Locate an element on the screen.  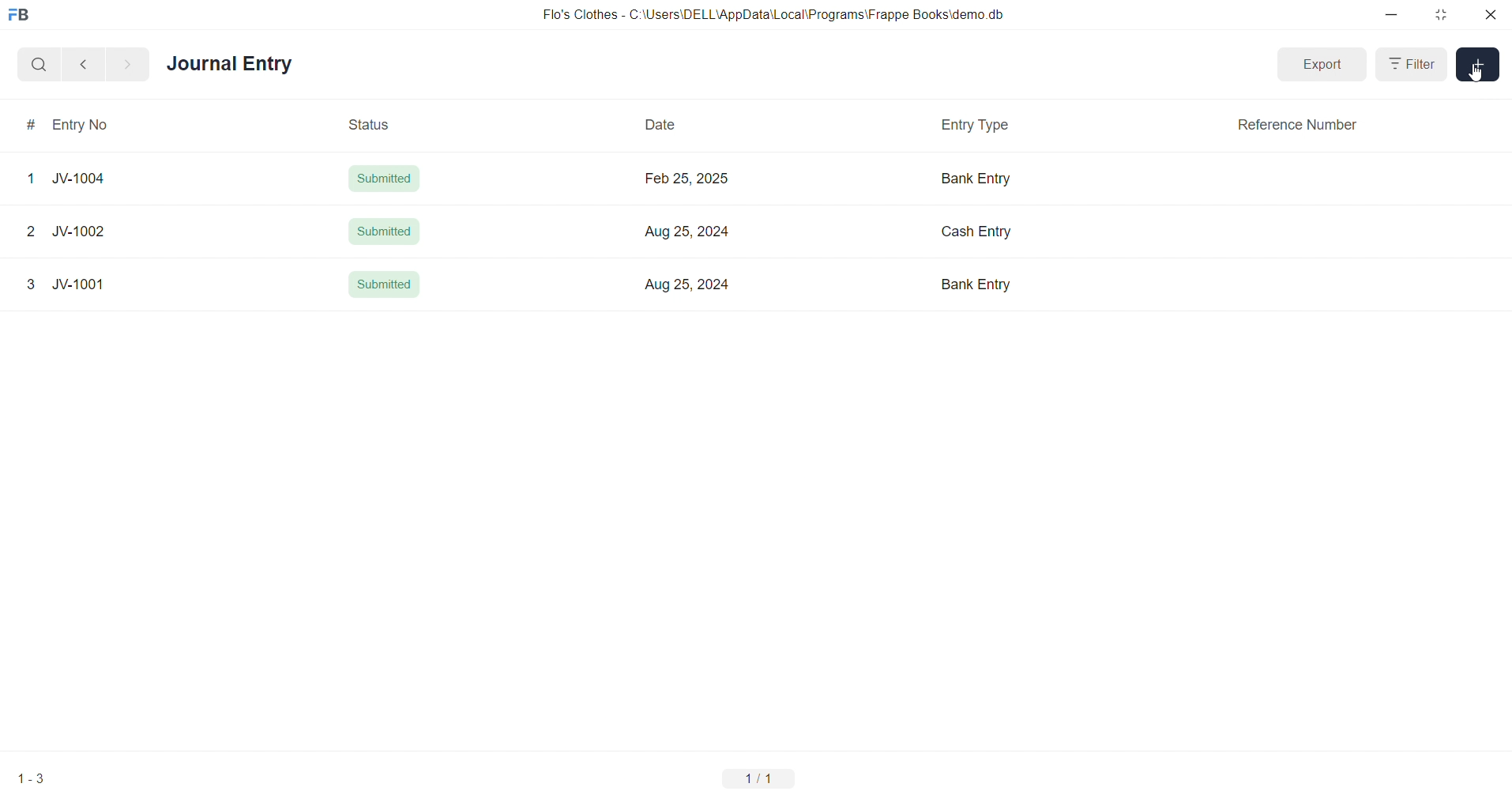
2 is located at coordinates (29, 232).